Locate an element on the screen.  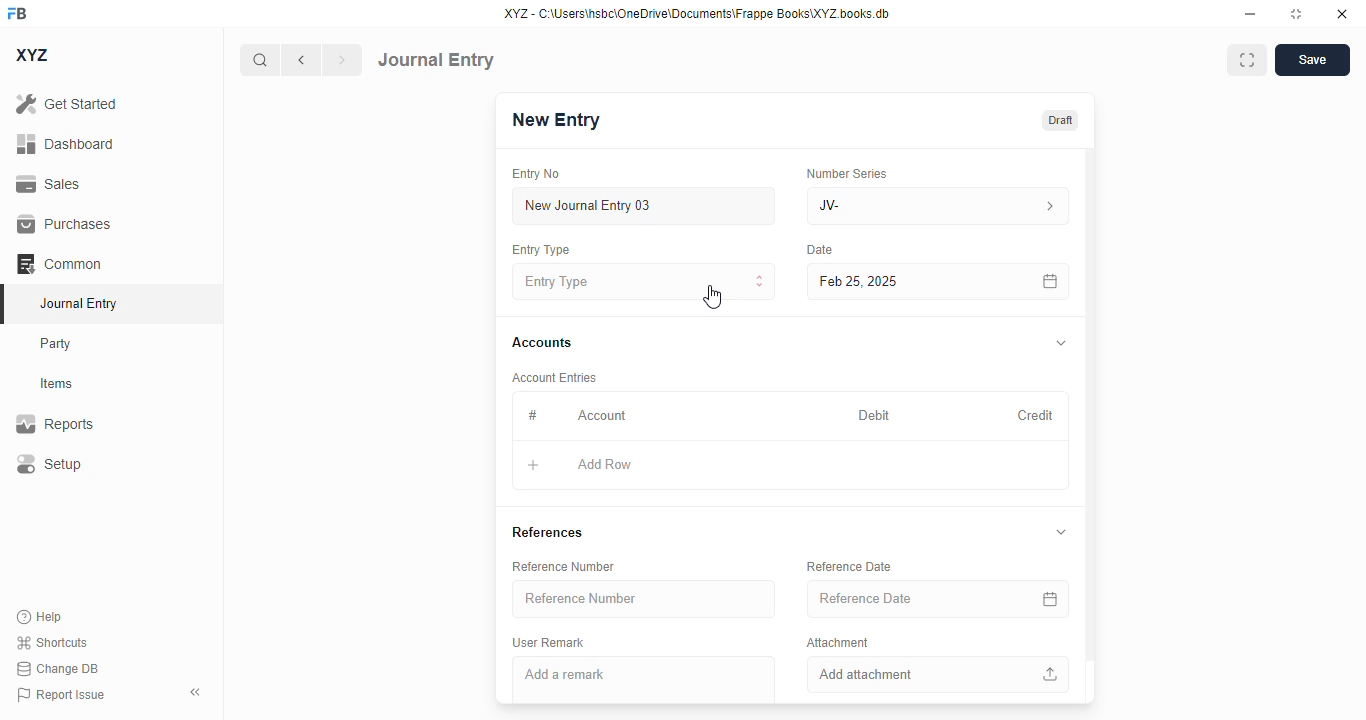
FB logo is located at coordinates (17, 12).